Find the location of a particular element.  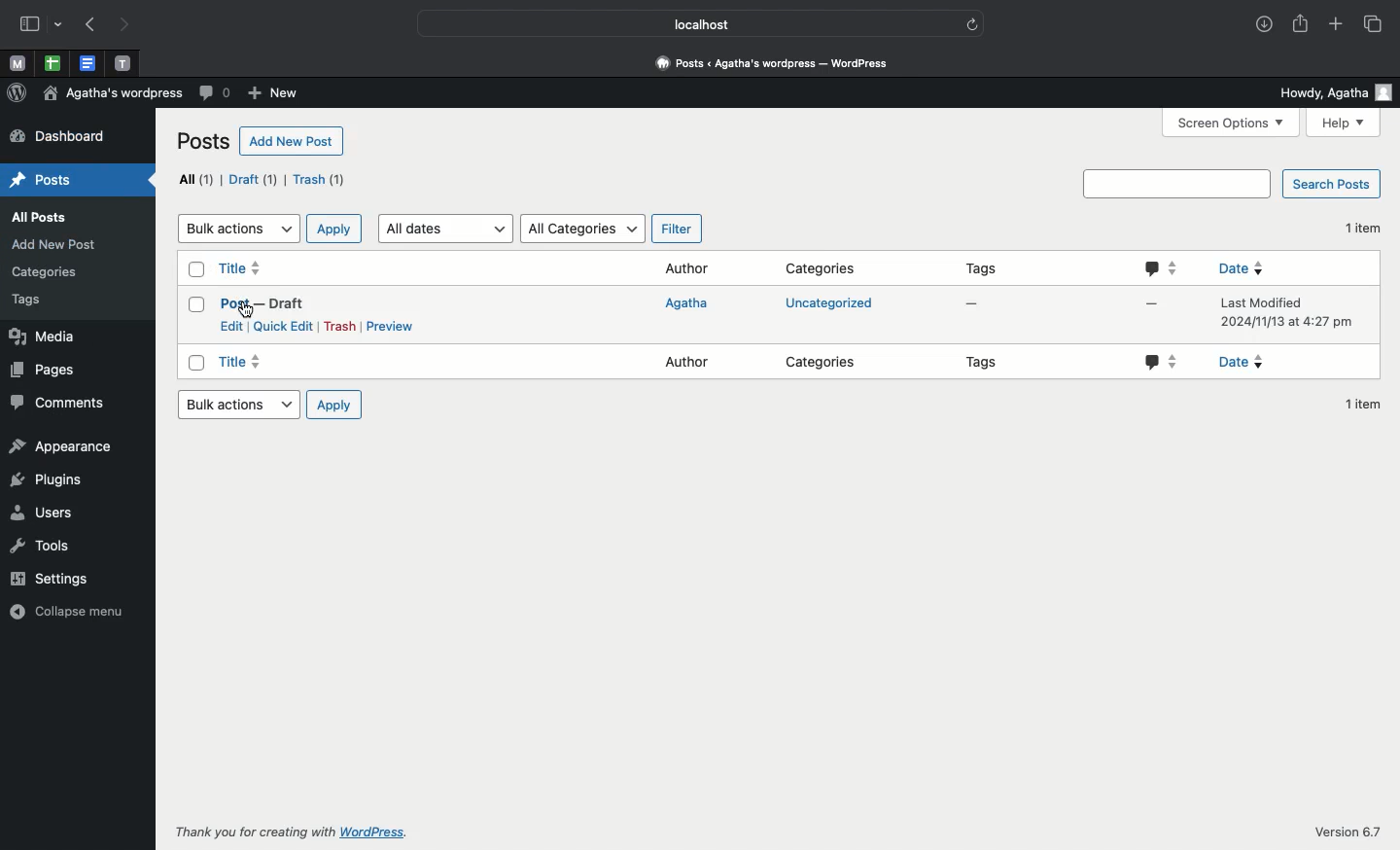

Version 6.7 is located at coordinates (1348, 832).